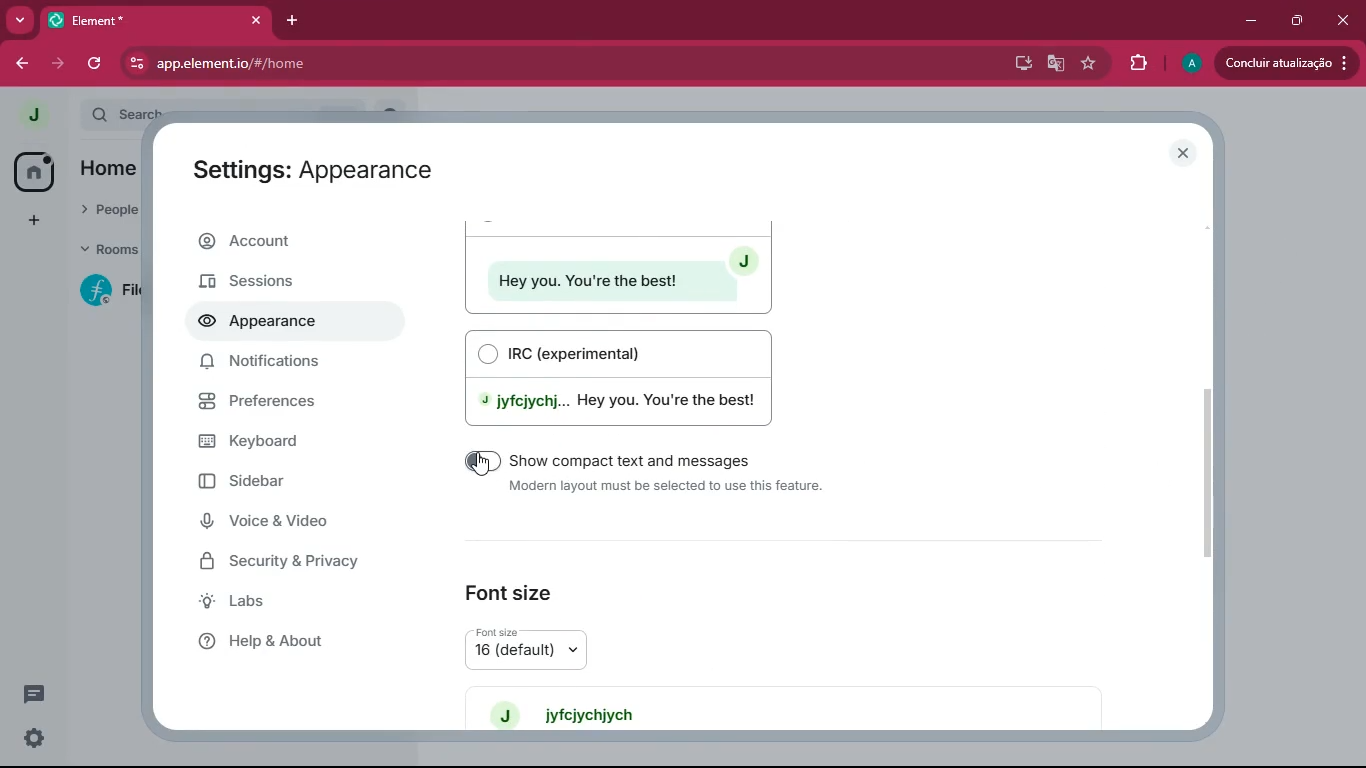 The width and height of the screenshot is (1366, 768). What do you see at coordinates (288, 283) in the screenshot?
I see `sessions` at bounding box center [288, 283].